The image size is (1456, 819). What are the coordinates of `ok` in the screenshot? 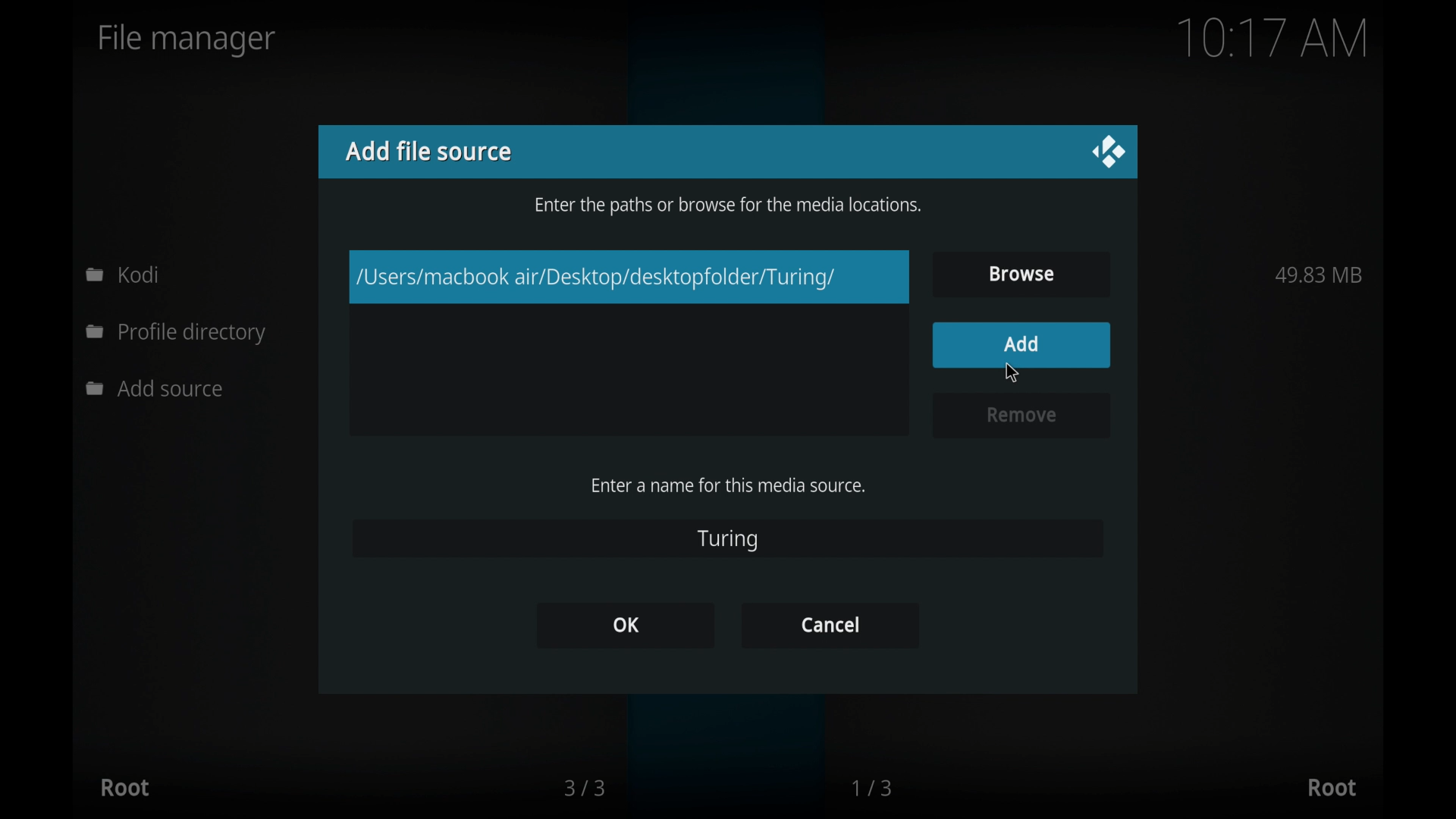 It's located at (625, 624).